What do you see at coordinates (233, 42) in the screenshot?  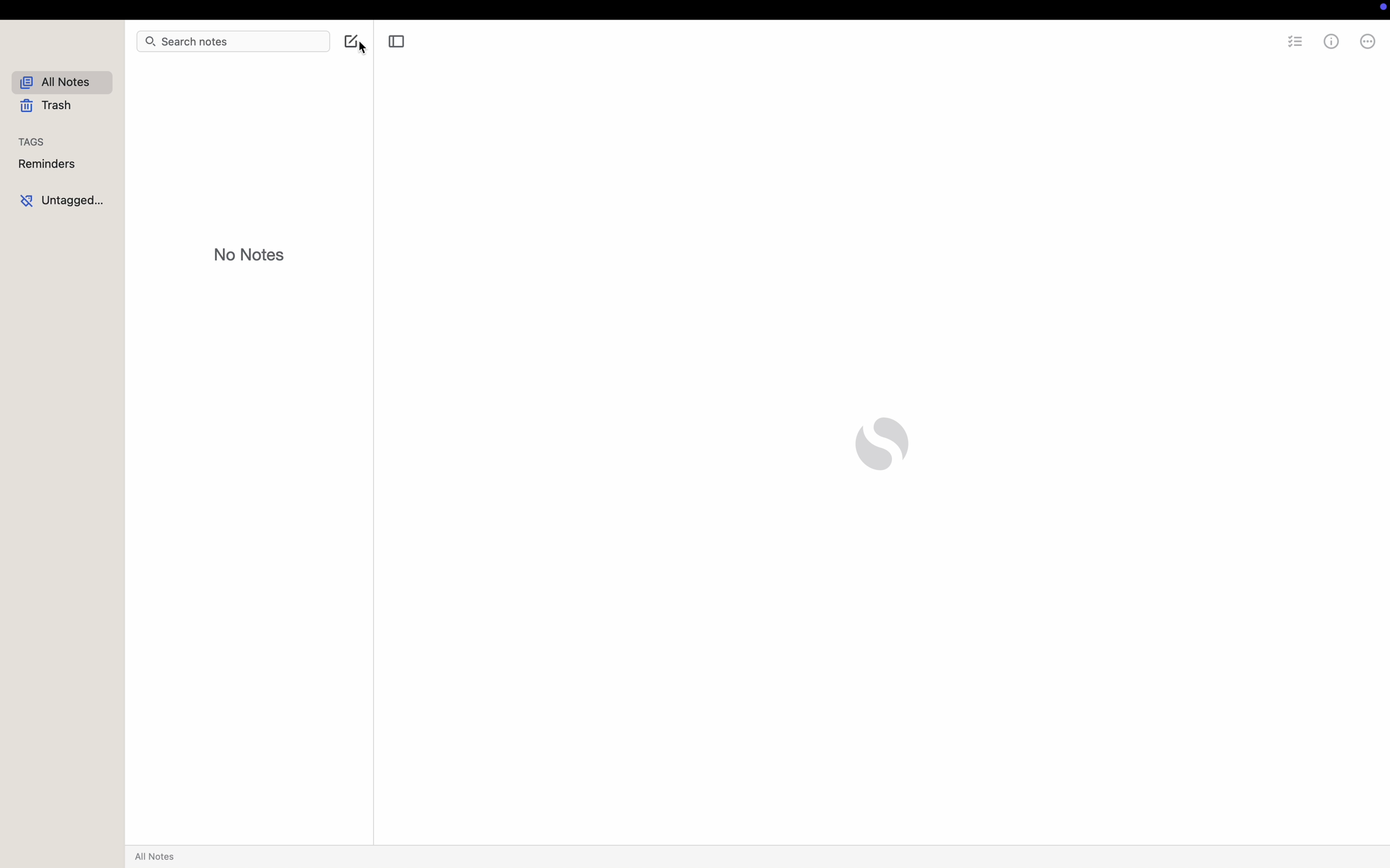 I see `search notes` at bounding box center [233, 42].